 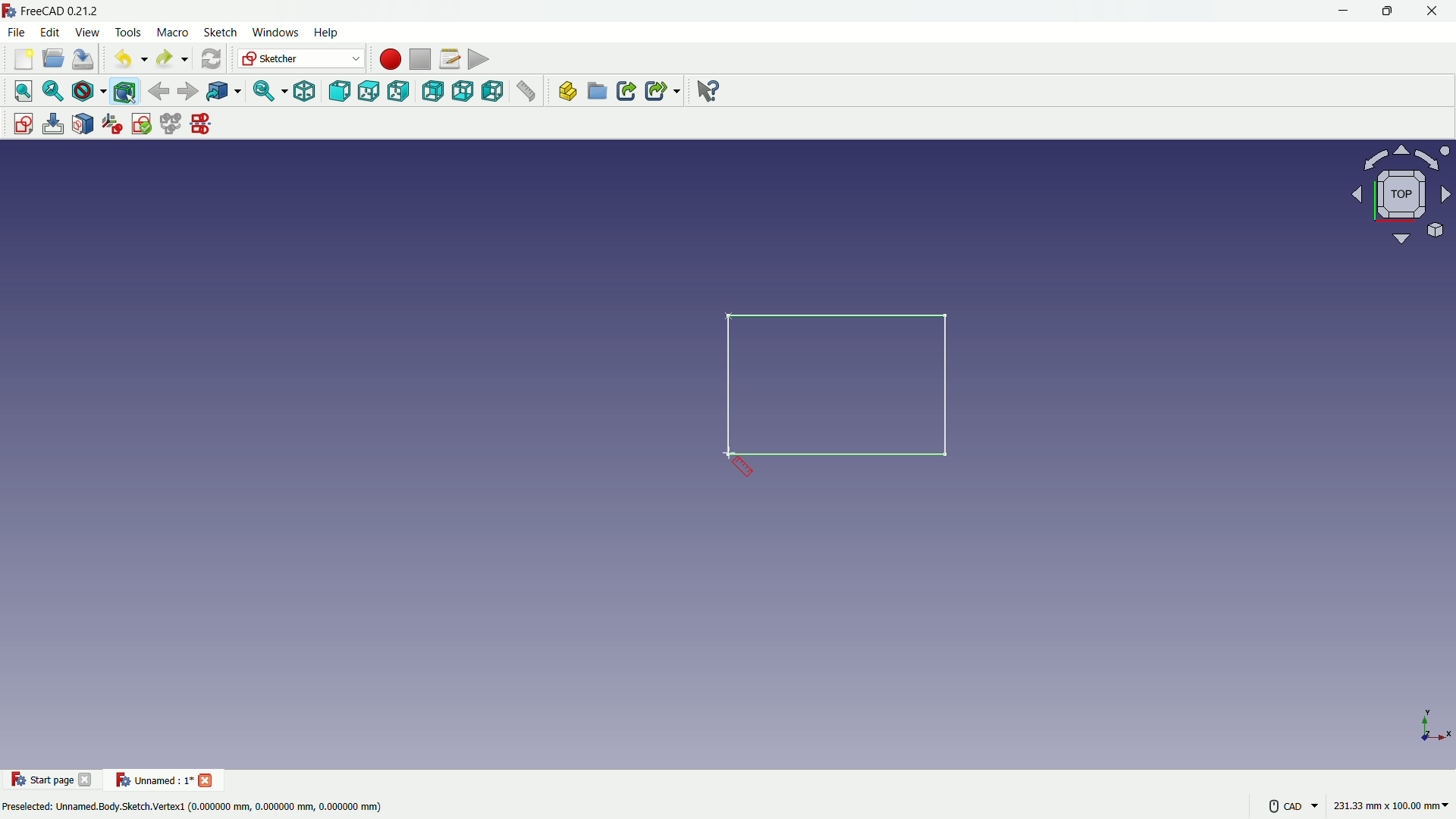 What do you see at coordinates (275, 32) in the screenshot?
I see `windows menu` at bounding box center [275, 32].